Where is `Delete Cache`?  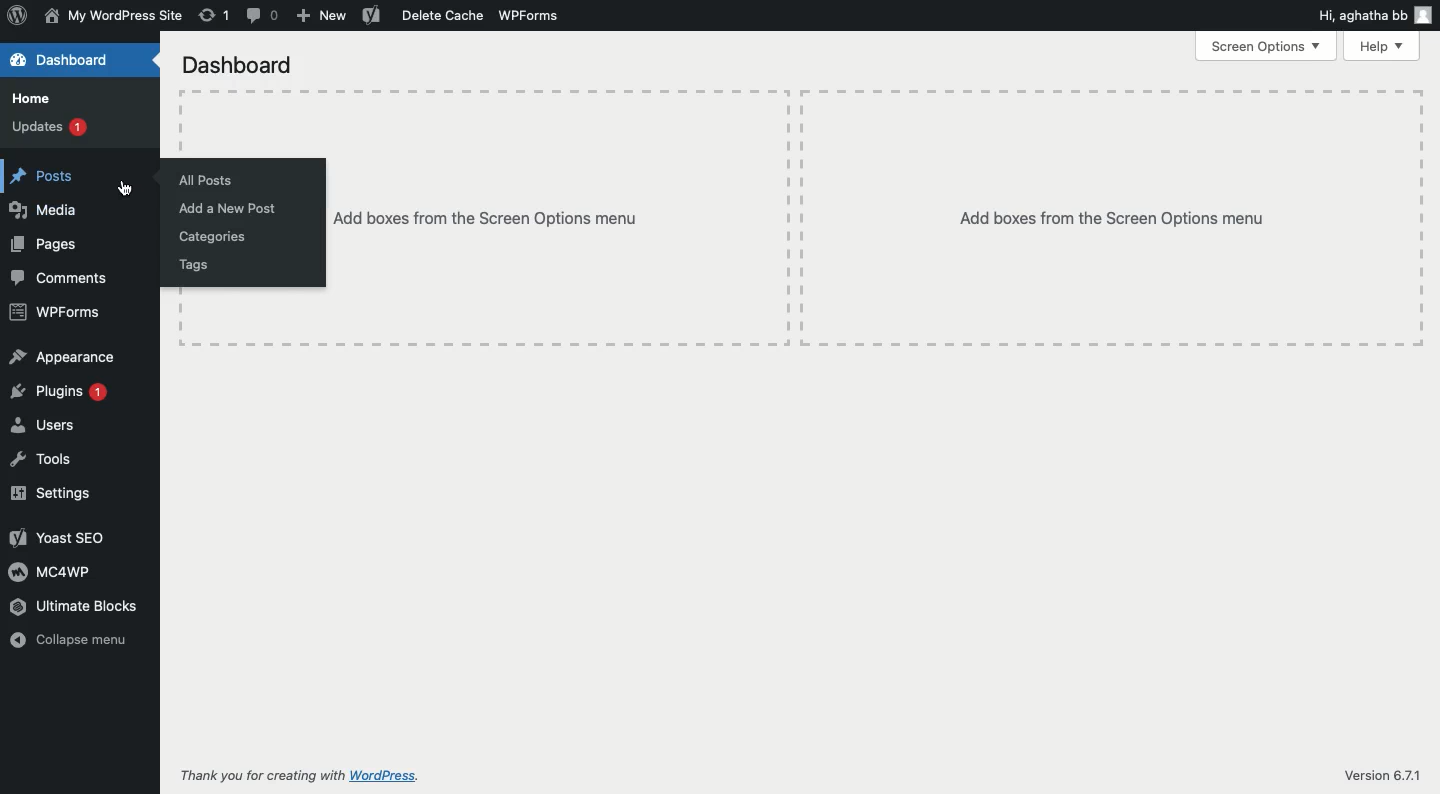
Delete Cache is located at coordinates (424, 16).